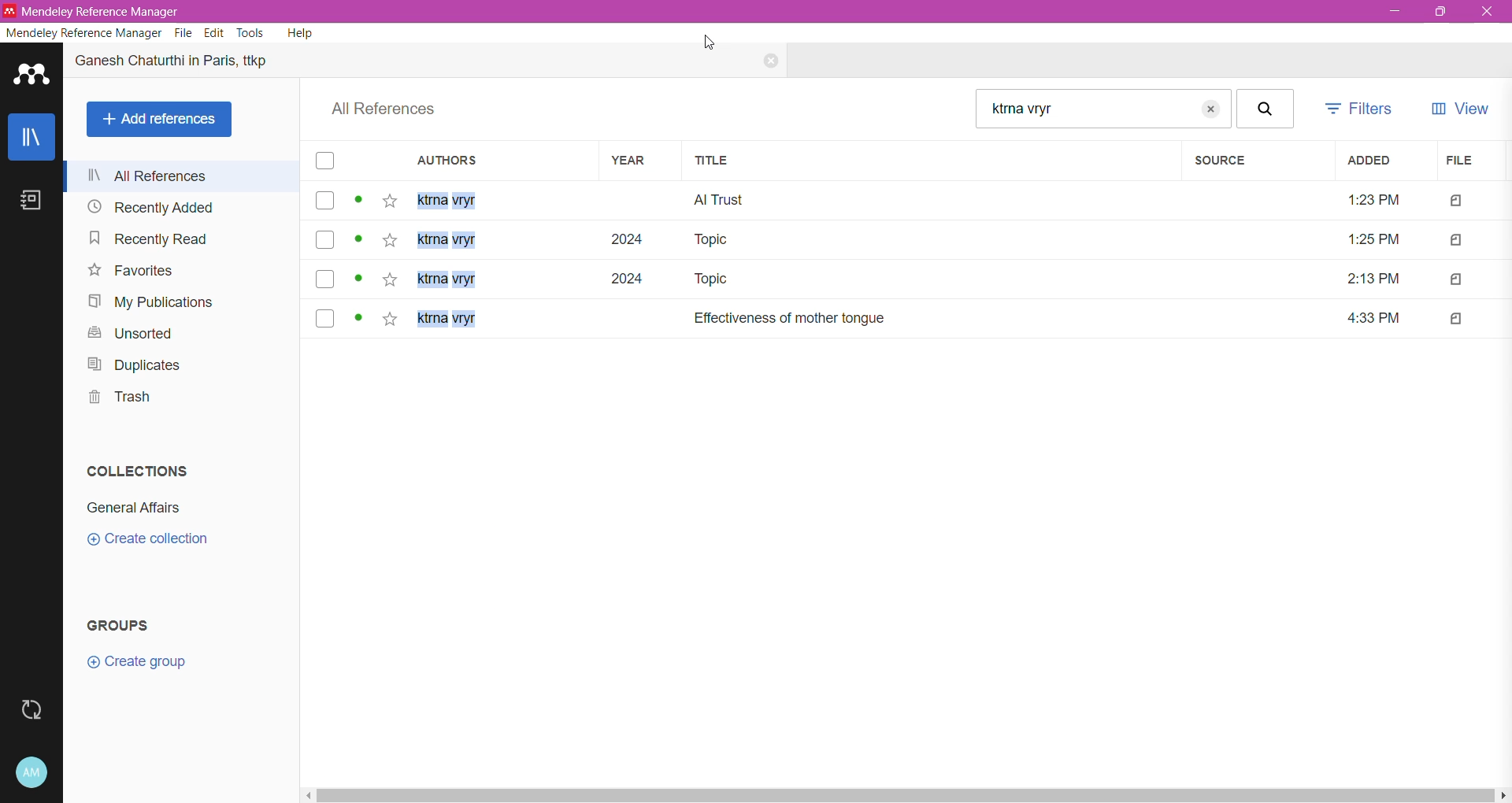 The height and width of the screenshot is (803, 1512). What do you see at coordinates (299, 33) in the screenshot?
I see `Help` at bounding box center [299, 33].